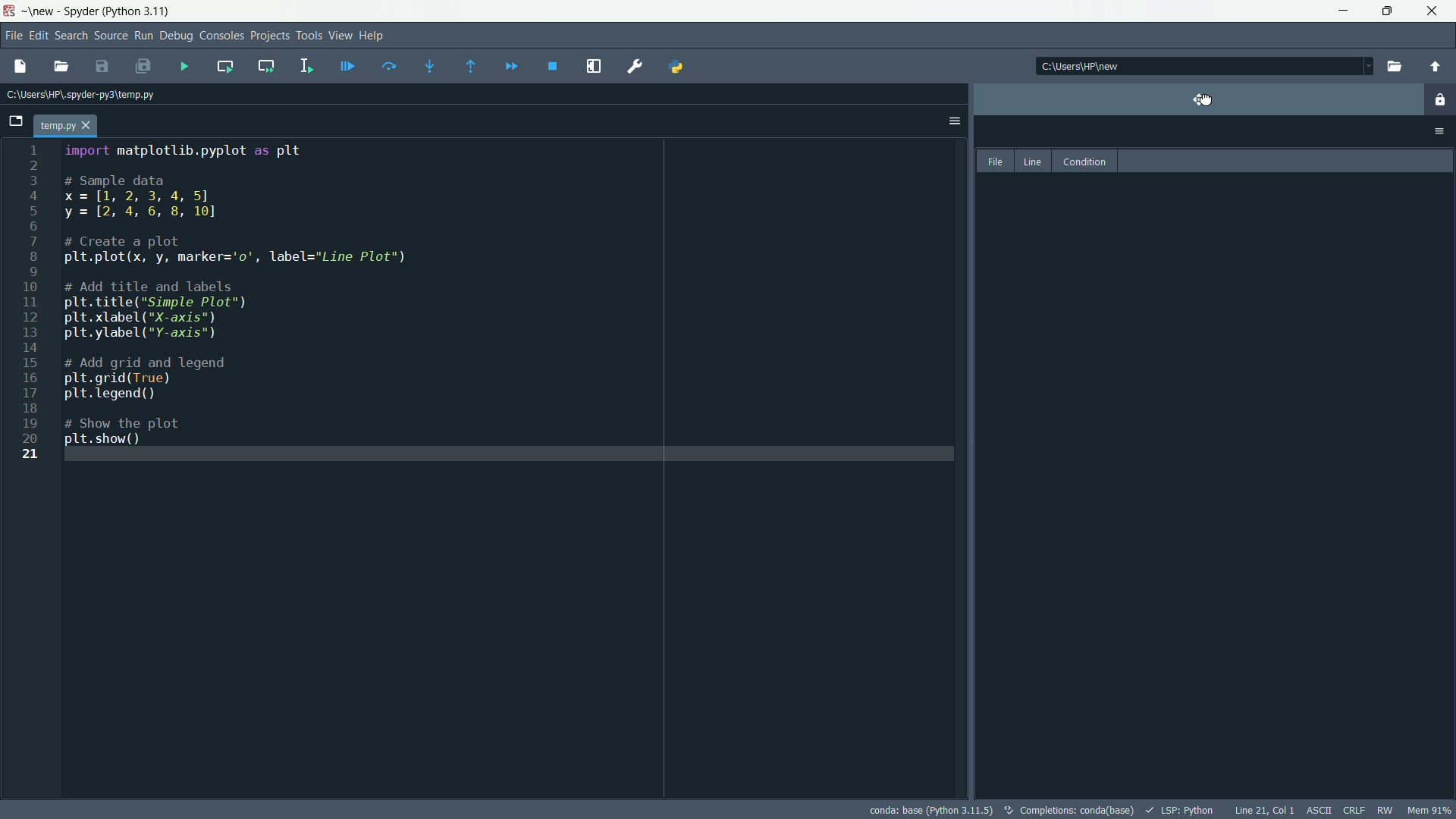 The width and height of the screenshot is (1456, 819). What do you see at coordinates (596, 66) in the screenshot?
I see `maximize current pane` at bounding box center [596, 66].